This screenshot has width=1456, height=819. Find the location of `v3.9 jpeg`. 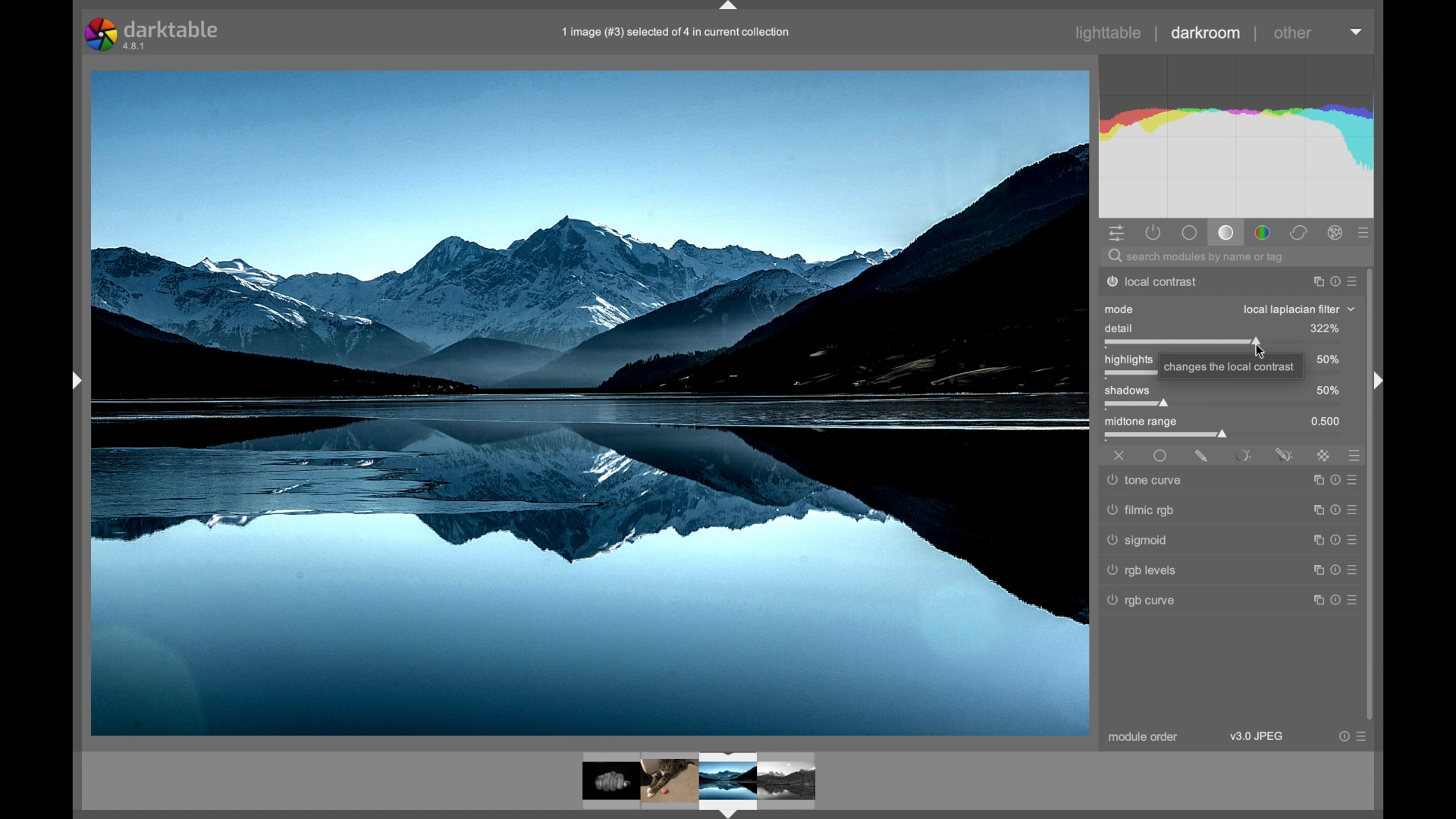

v3.9 jpeg is located at coordinates (1257, 736).